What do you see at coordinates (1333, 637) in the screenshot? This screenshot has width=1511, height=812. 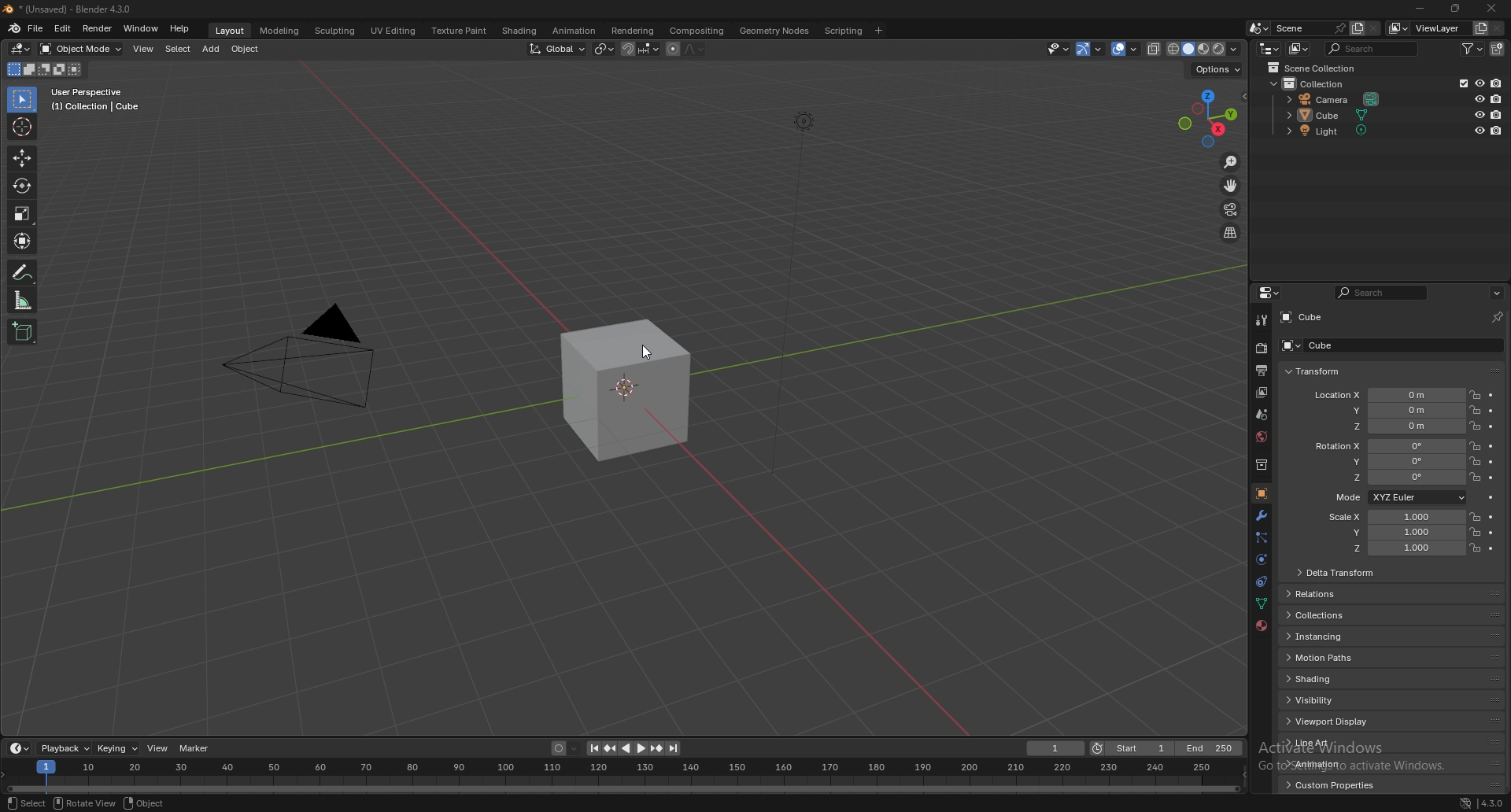 I see `instancing` at bounding box center [1333, 637].